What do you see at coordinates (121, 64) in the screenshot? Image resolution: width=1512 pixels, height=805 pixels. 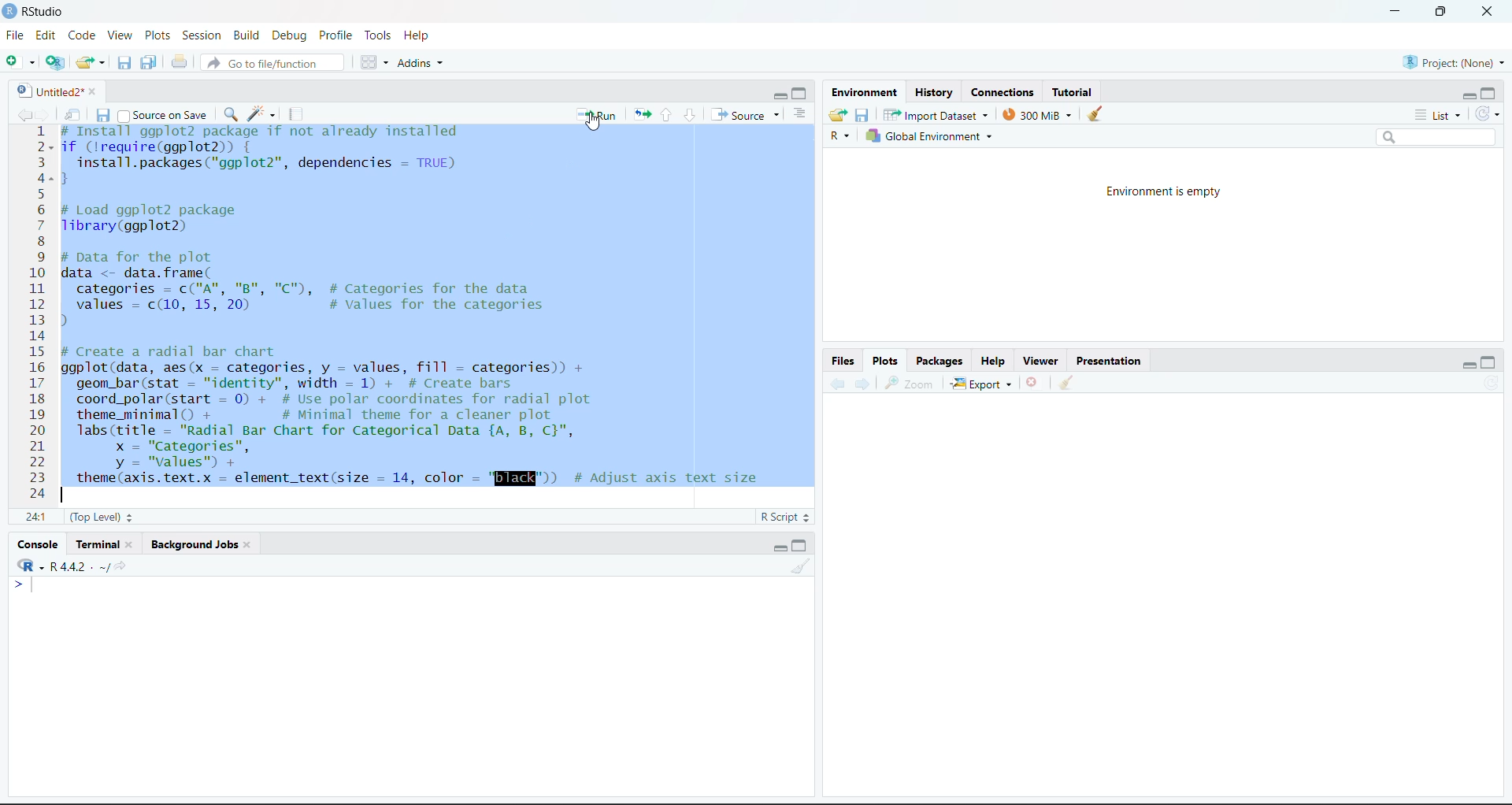 I see `save current document` at bounding box center [121, 64].